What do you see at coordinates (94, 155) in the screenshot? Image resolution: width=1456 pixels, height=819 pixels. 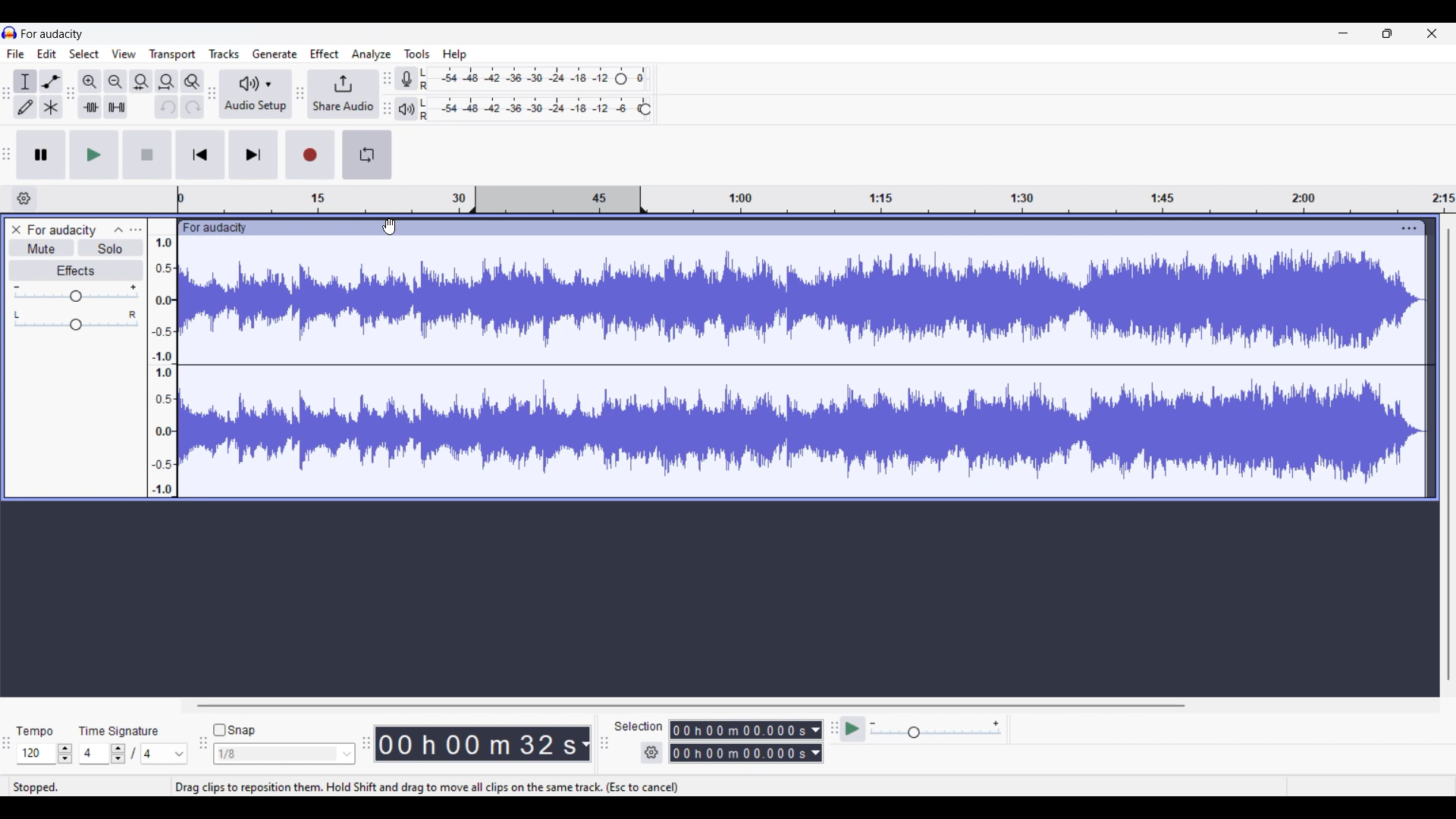 I see `Play/Play once` at bounding box center [94, 155].